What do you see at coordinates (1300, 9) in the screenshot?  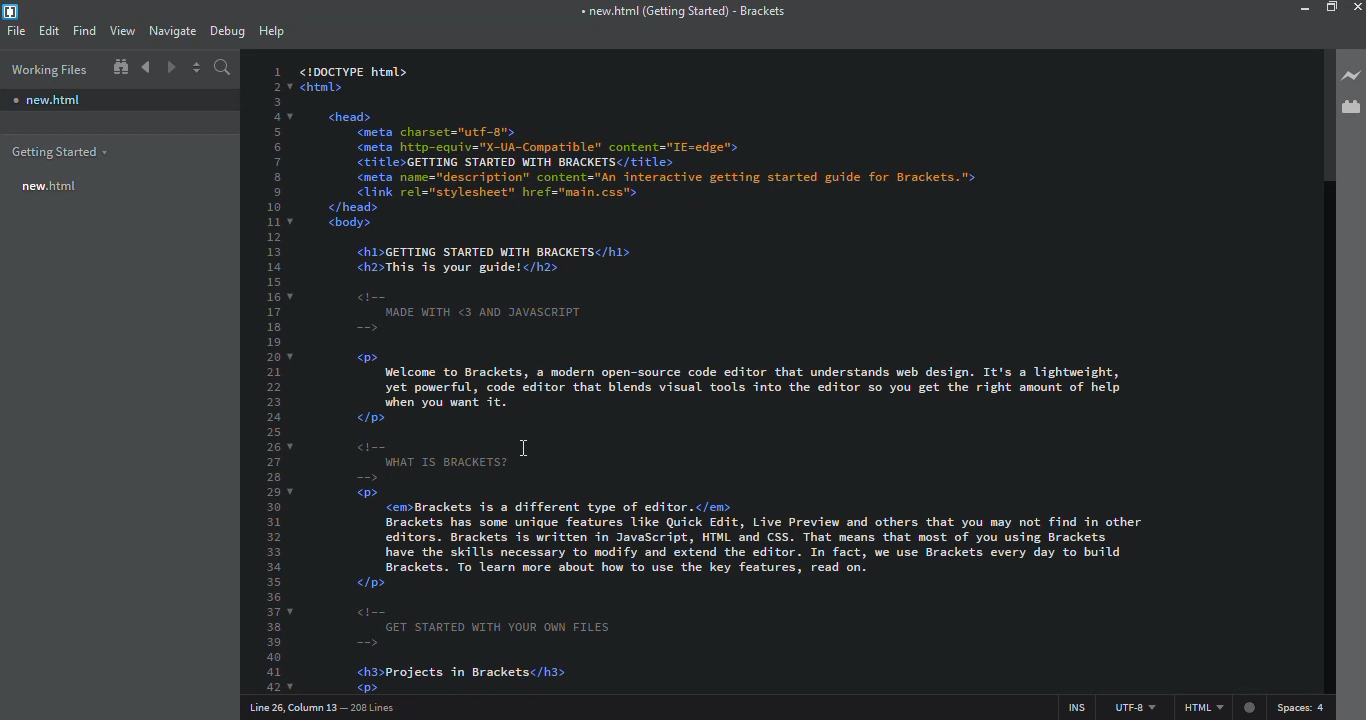 I see `minimize` at bounding box center [1300, 9].